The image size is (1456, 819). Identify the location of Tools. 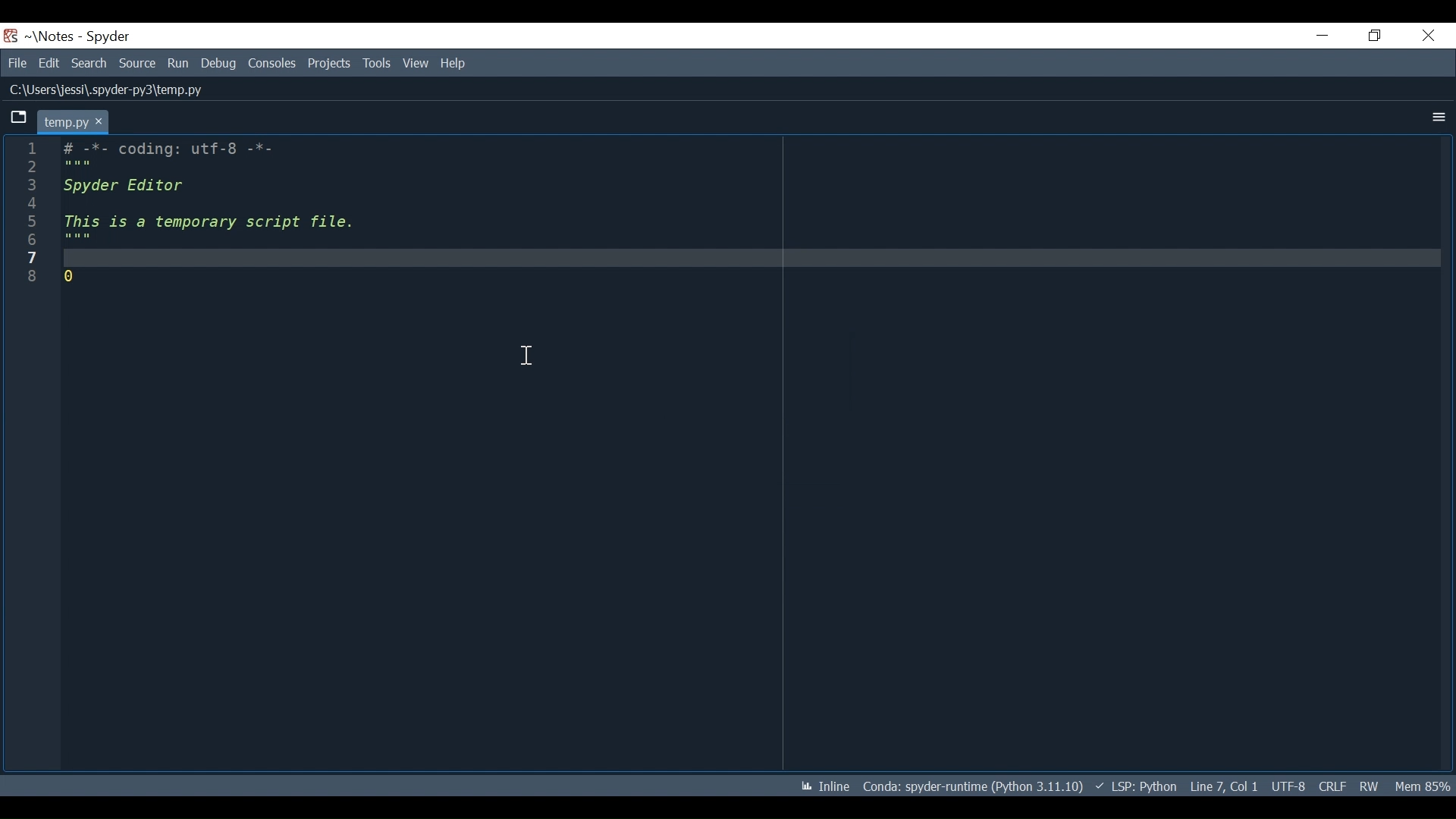
(377, 63).